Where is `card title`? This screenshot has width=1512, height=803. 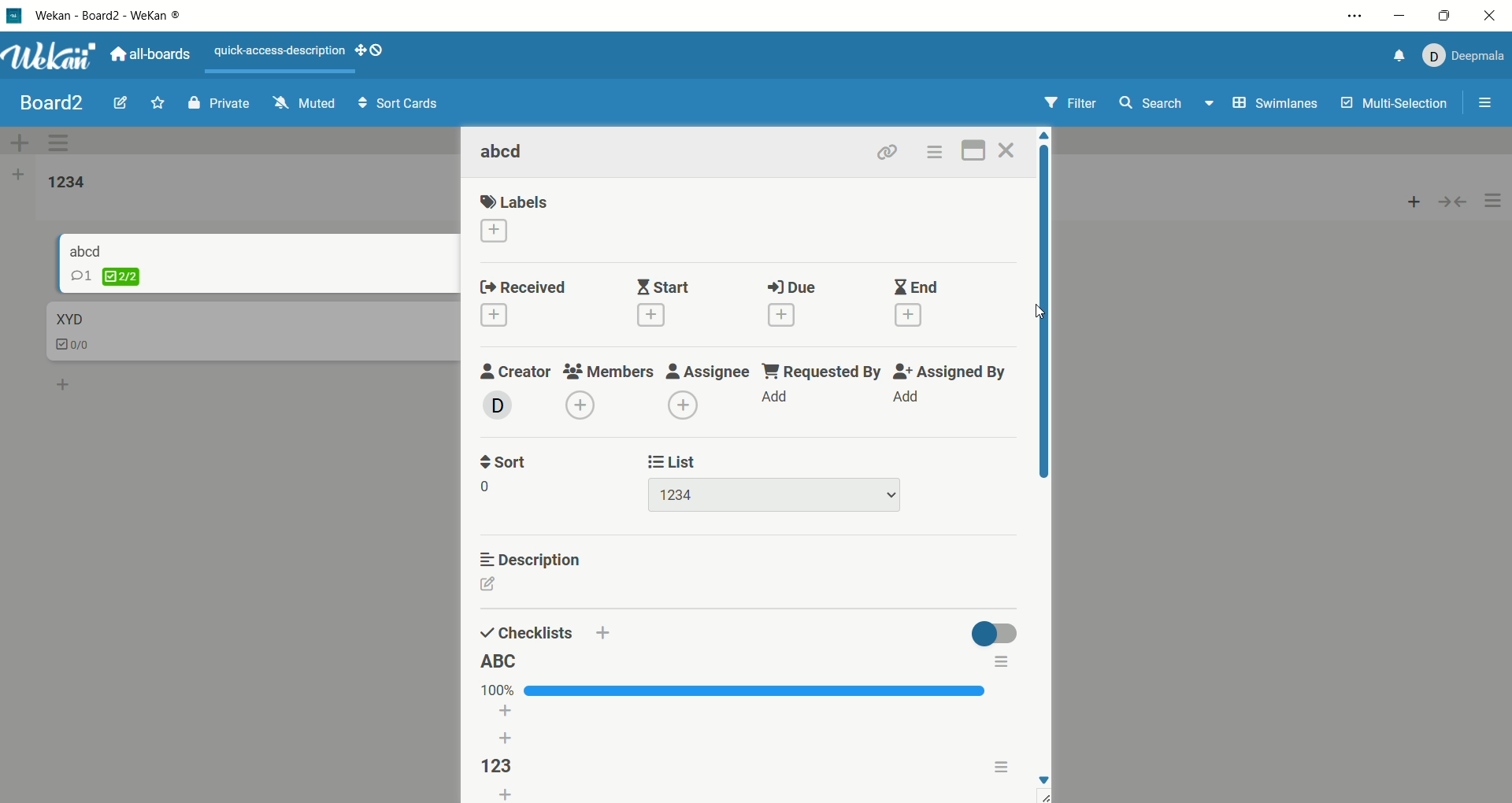 card title is located at coordinates (504, 153).